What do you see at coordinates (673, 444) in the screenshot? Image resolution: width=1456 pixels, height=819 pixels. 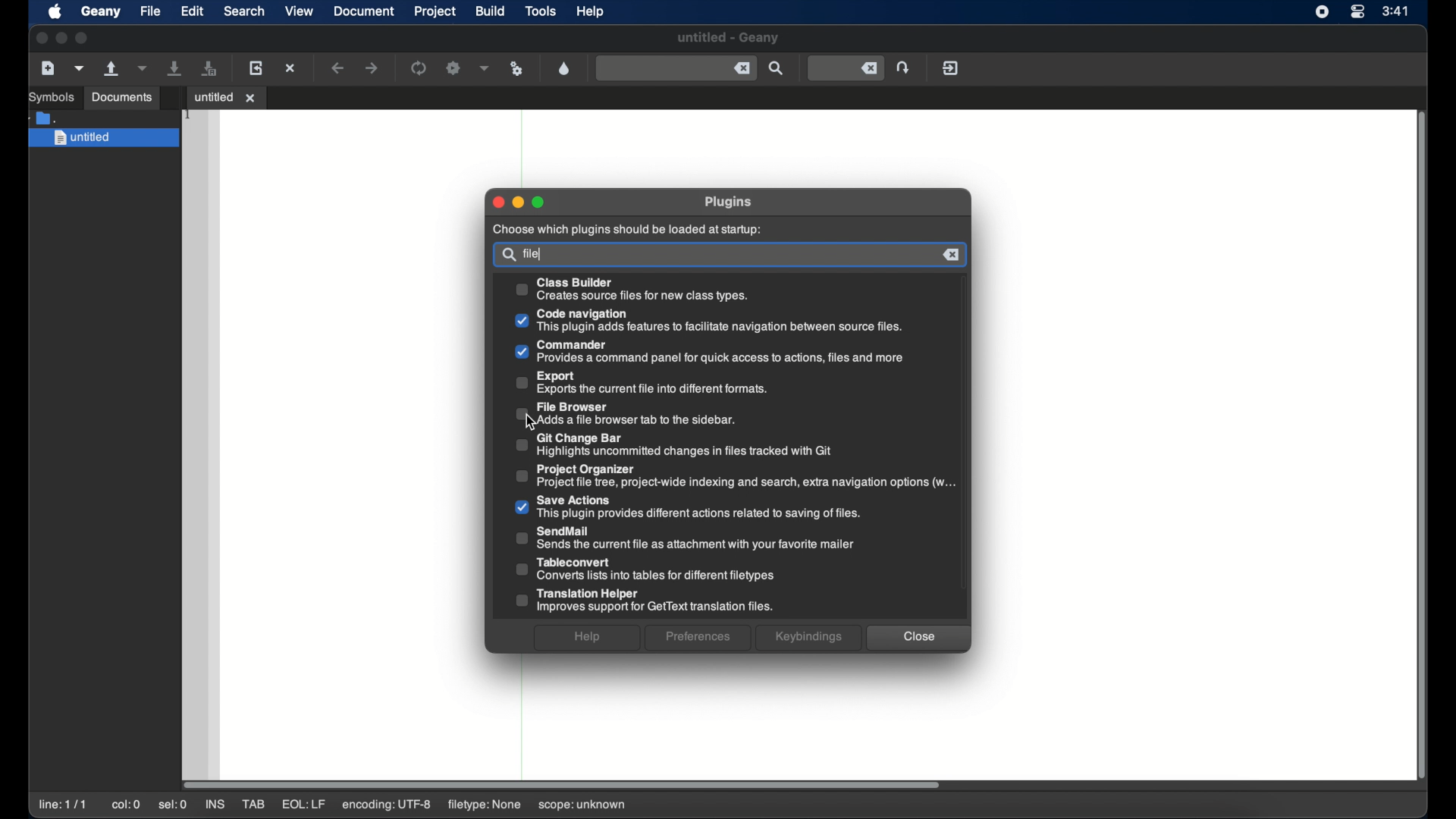 I see `git change bar` at bounding box center [673, 444].